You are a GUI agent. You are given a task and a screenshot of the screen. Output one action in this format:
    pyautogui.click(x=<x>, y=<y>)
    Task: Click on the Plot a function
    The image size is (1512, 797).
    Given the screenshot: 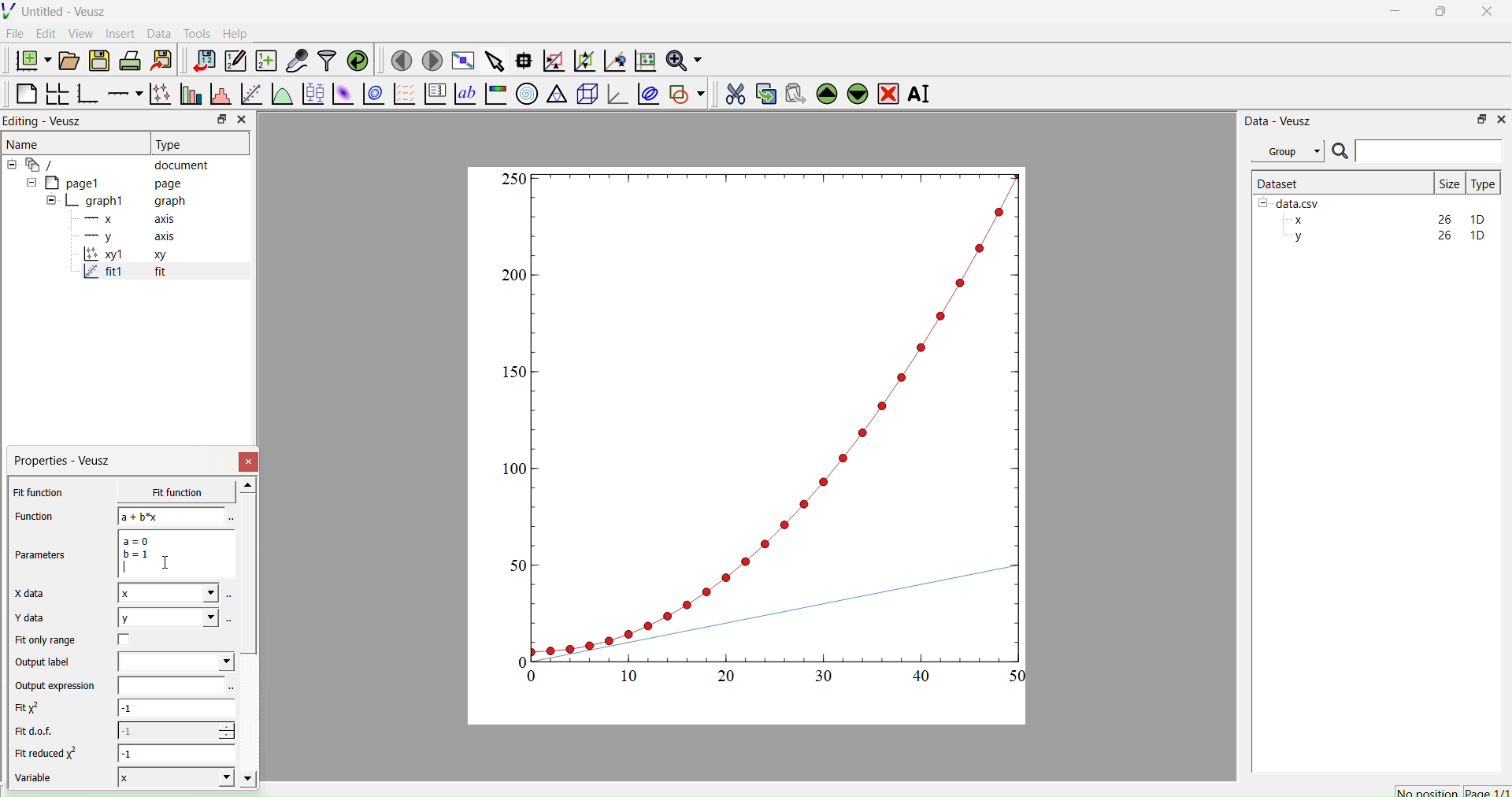 What is the action you would take?
    pyautogui.click(x=281, y=95)
    